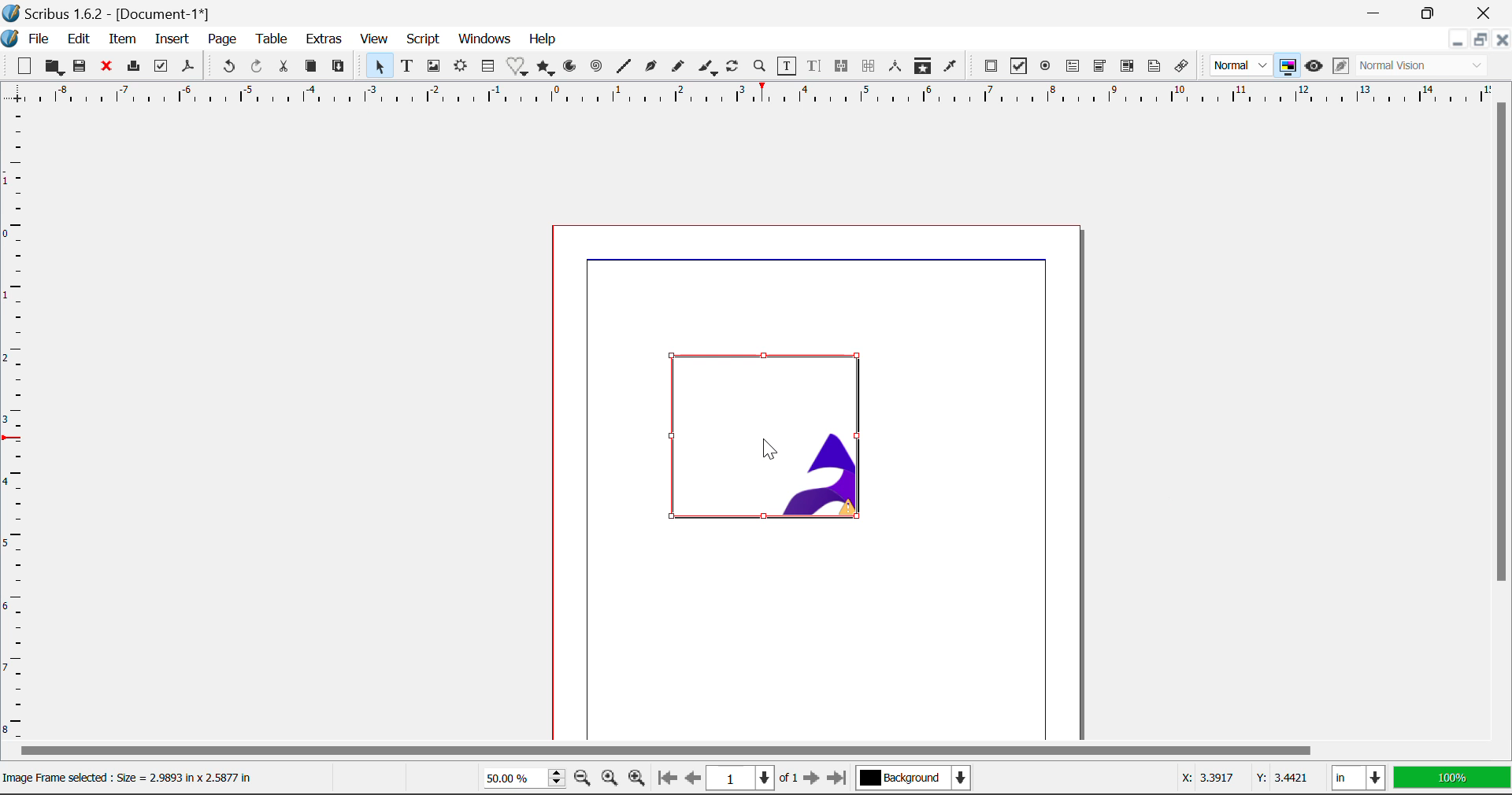  What do you see at coordinates (1457, 39) in the screenshot?
I see `Restore Down` at bounding box center [1457, 39].